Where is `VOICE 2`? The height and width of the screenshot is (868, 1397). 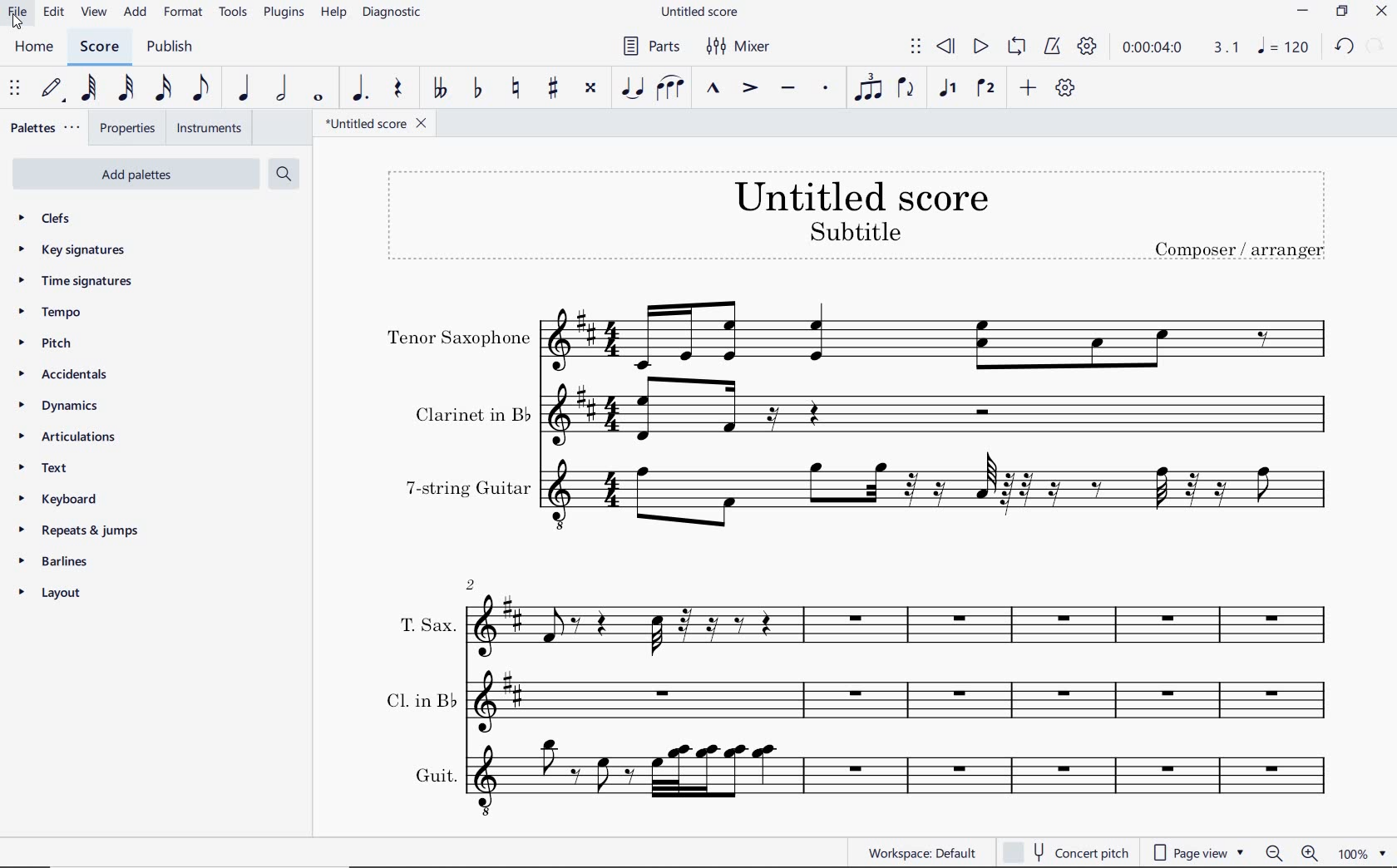 VOICE 2 is located at coordinates (987, 88).